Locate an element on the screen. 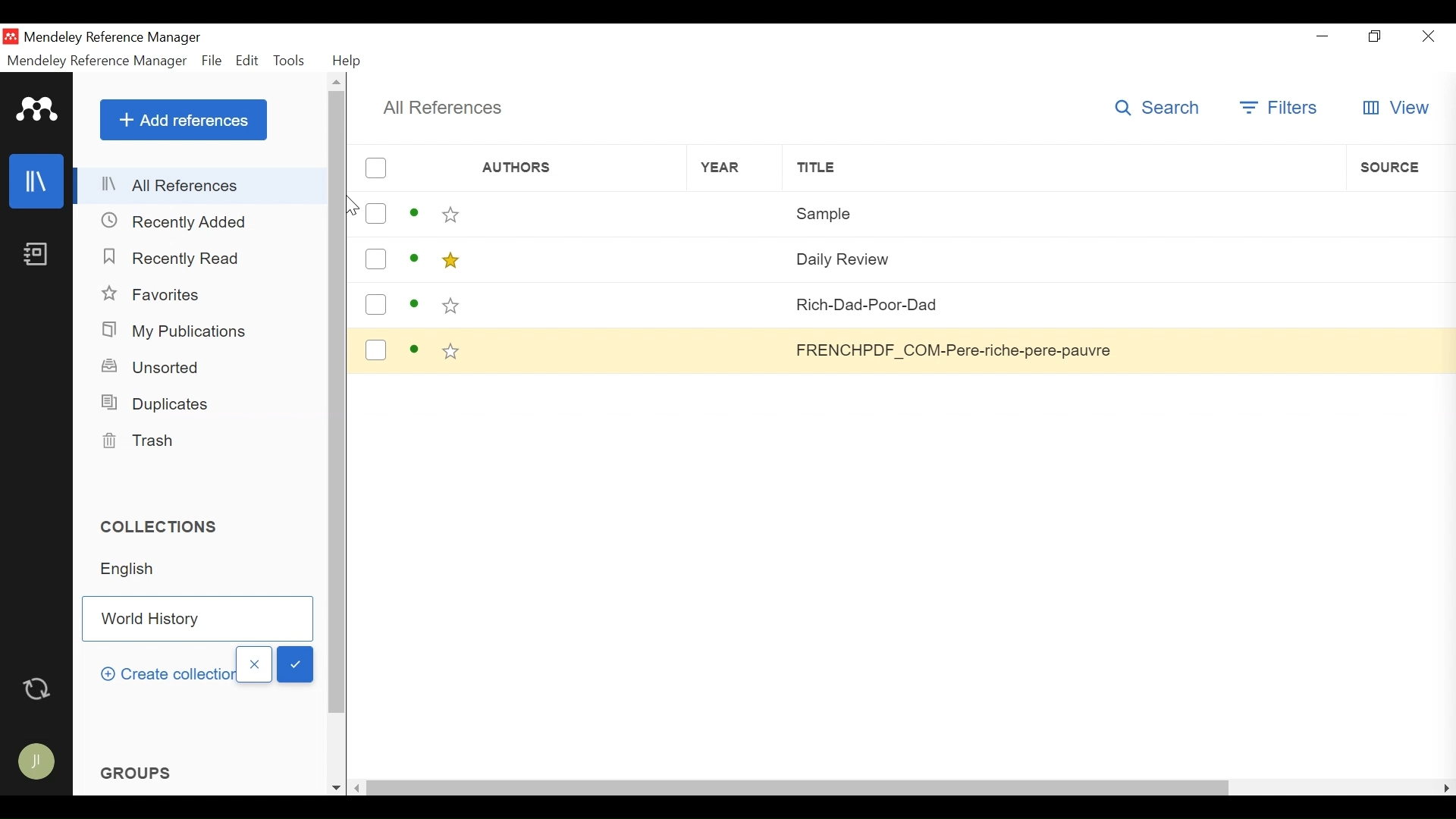  Toggle favorites is located at coordinates (451, 306).